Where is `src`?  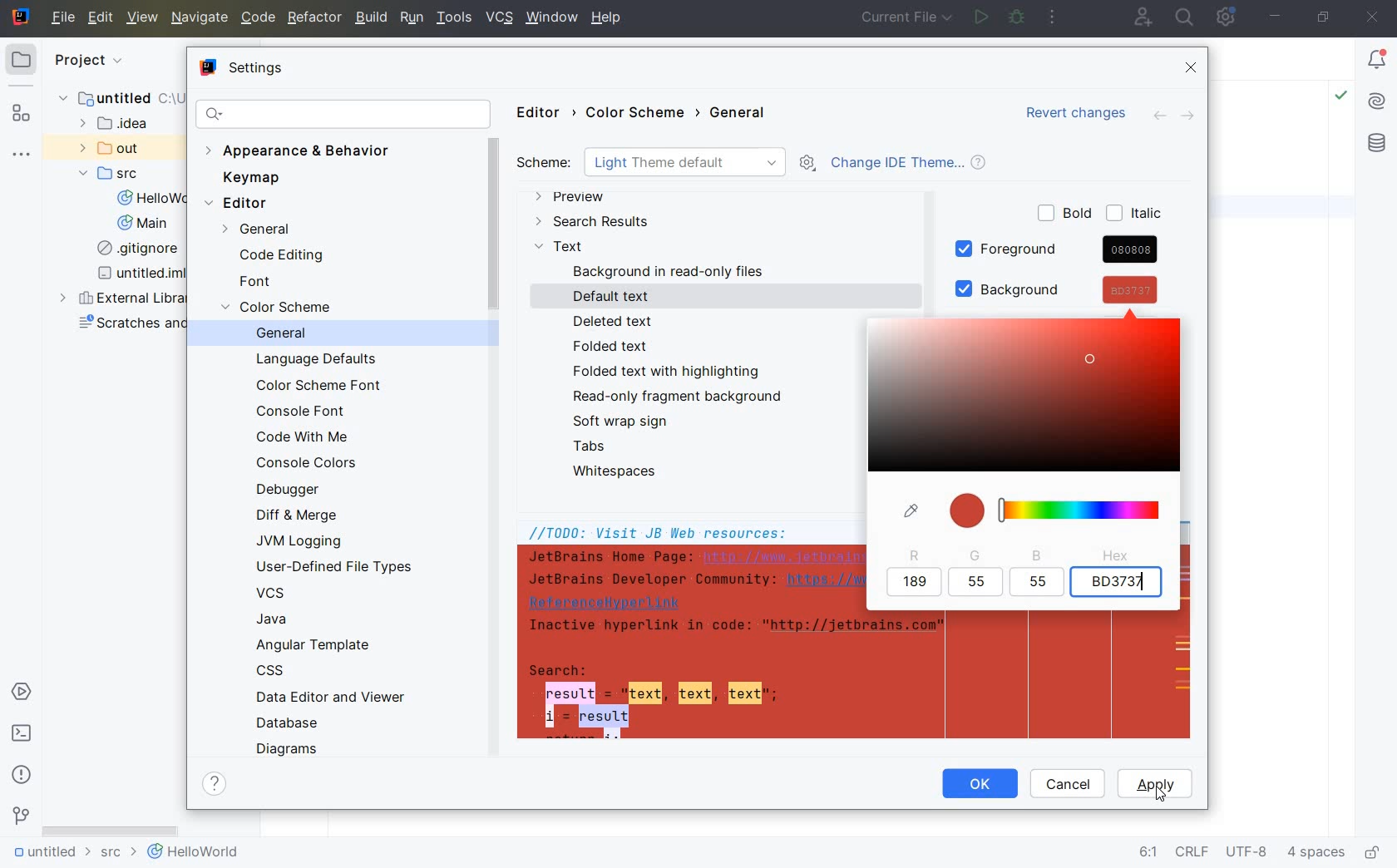 src is located at coordinates (116, 856).